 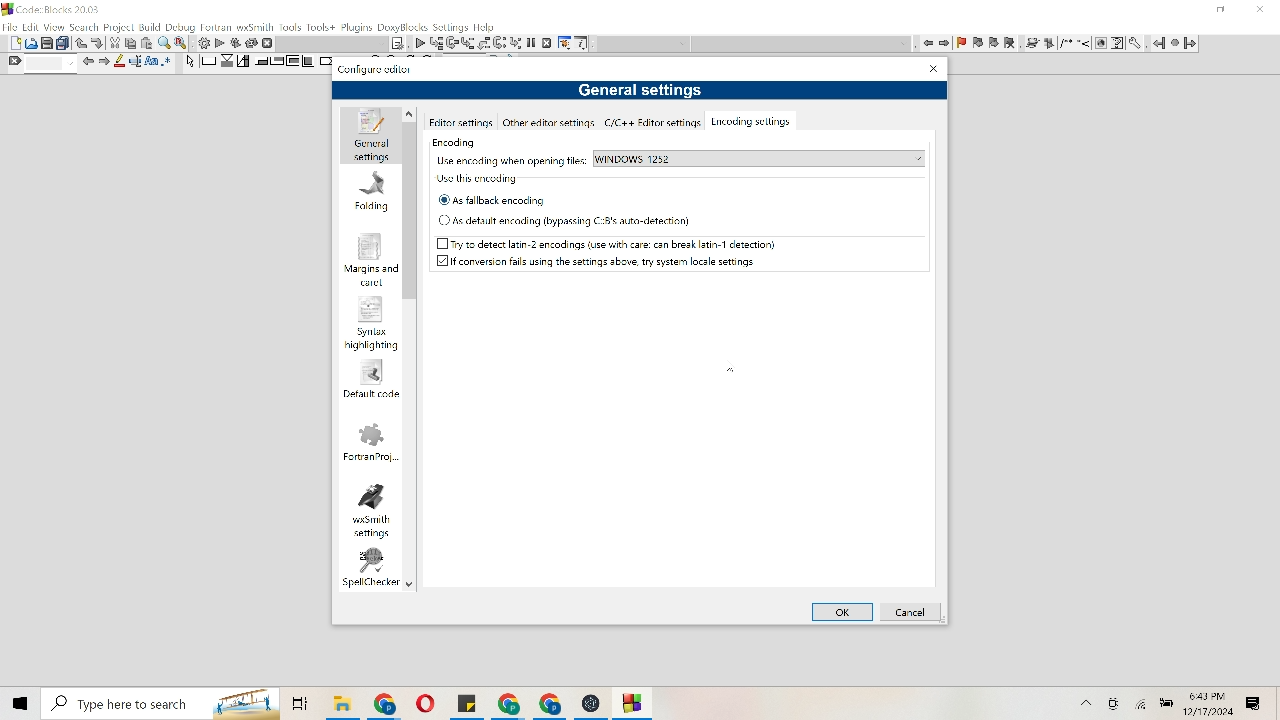 I want to click on File, so click(x=10, y=25).